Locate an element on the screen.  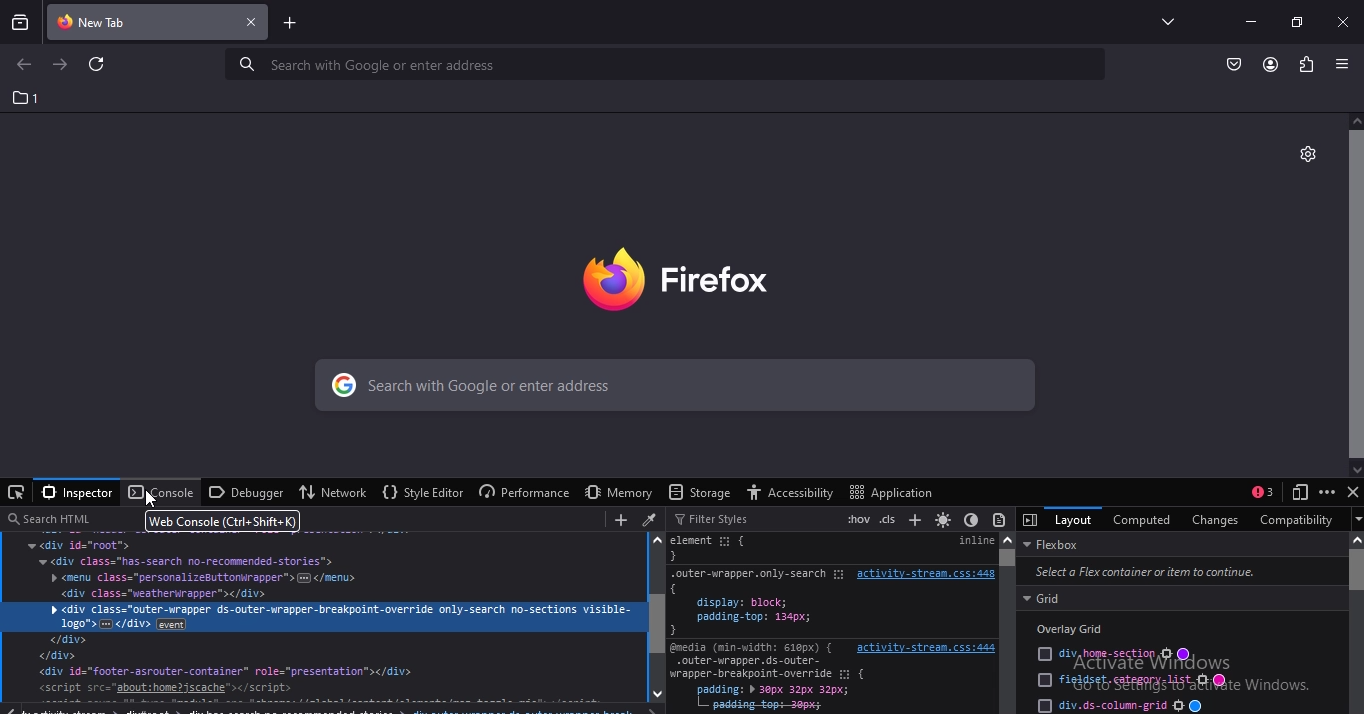
toggle off the 3 pane inspector is located at coordinates (1029, 519).